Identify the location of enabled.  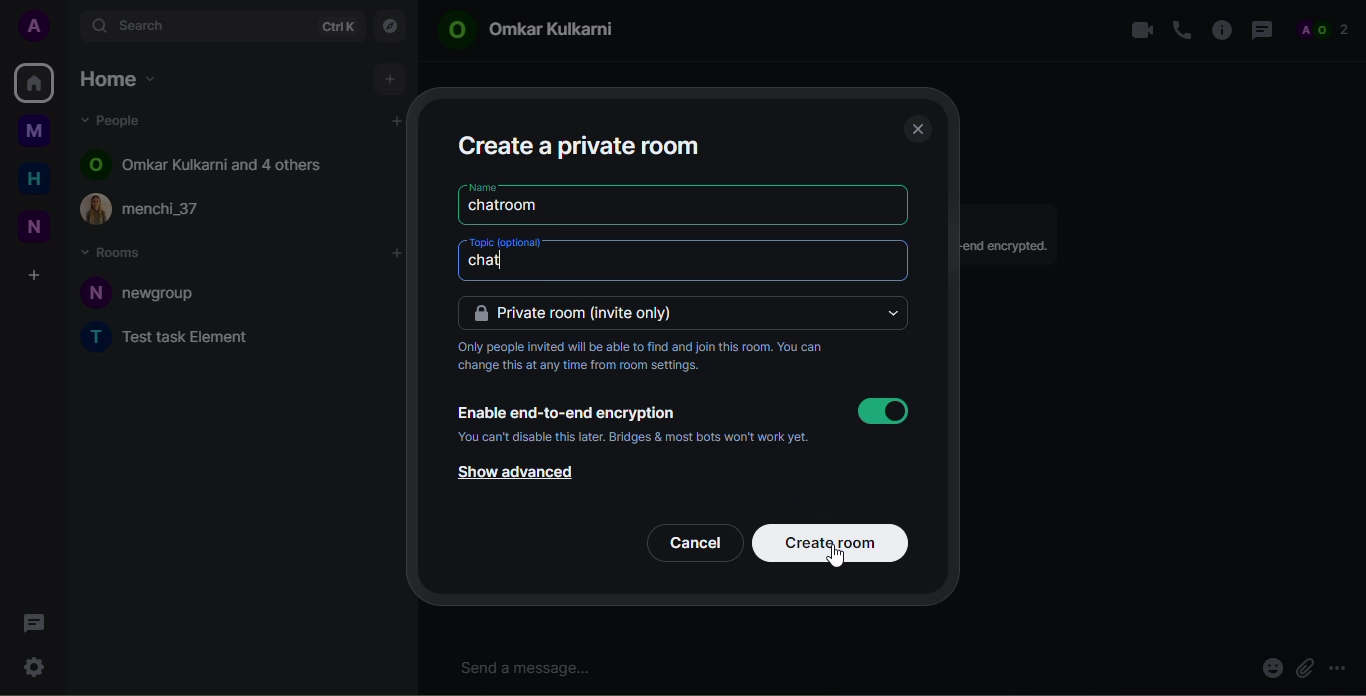
(882, 411).